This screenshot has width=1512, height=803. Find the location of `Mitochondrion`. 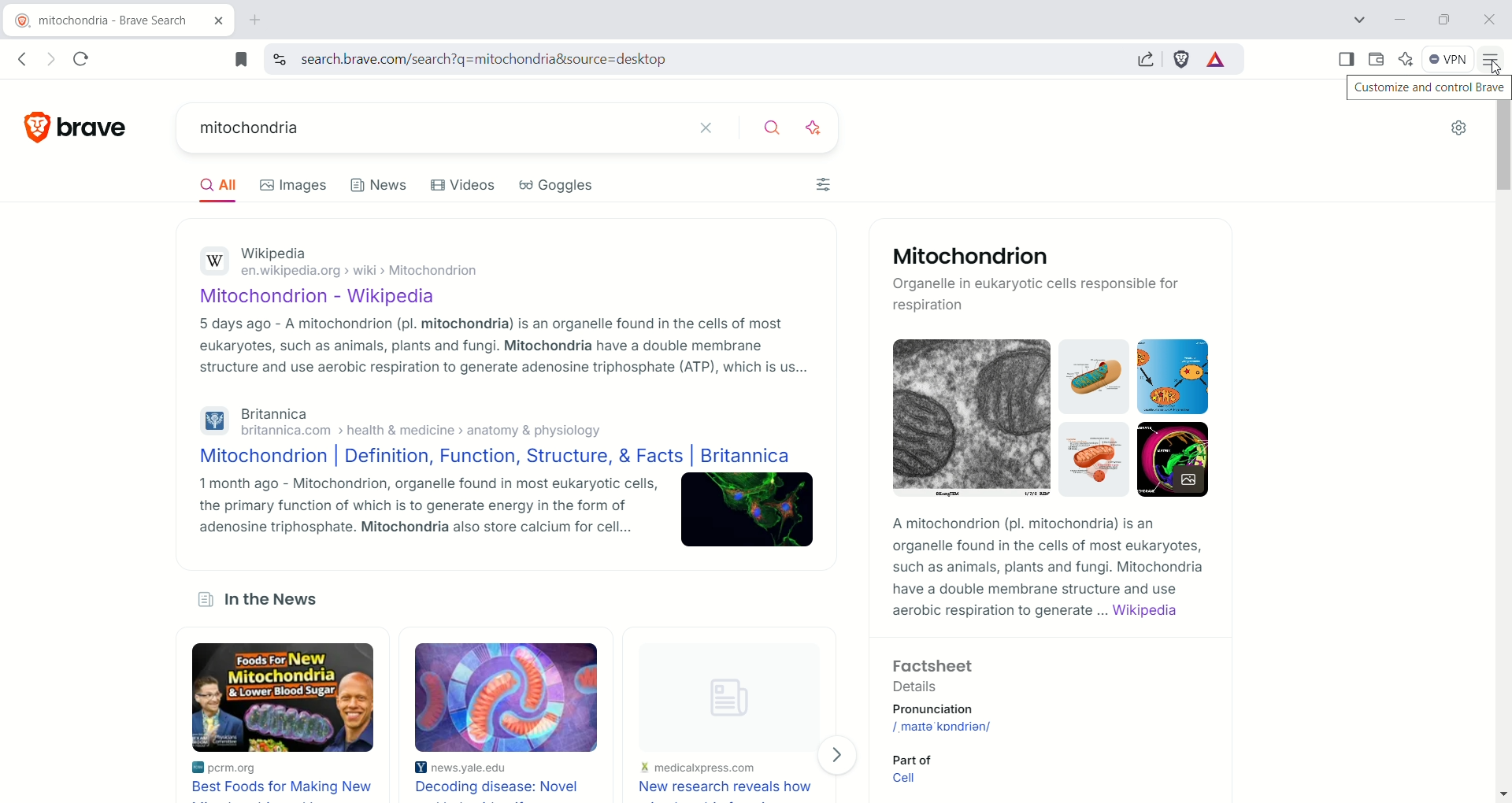

Mitochondrion is located at coordinates (985, 252).